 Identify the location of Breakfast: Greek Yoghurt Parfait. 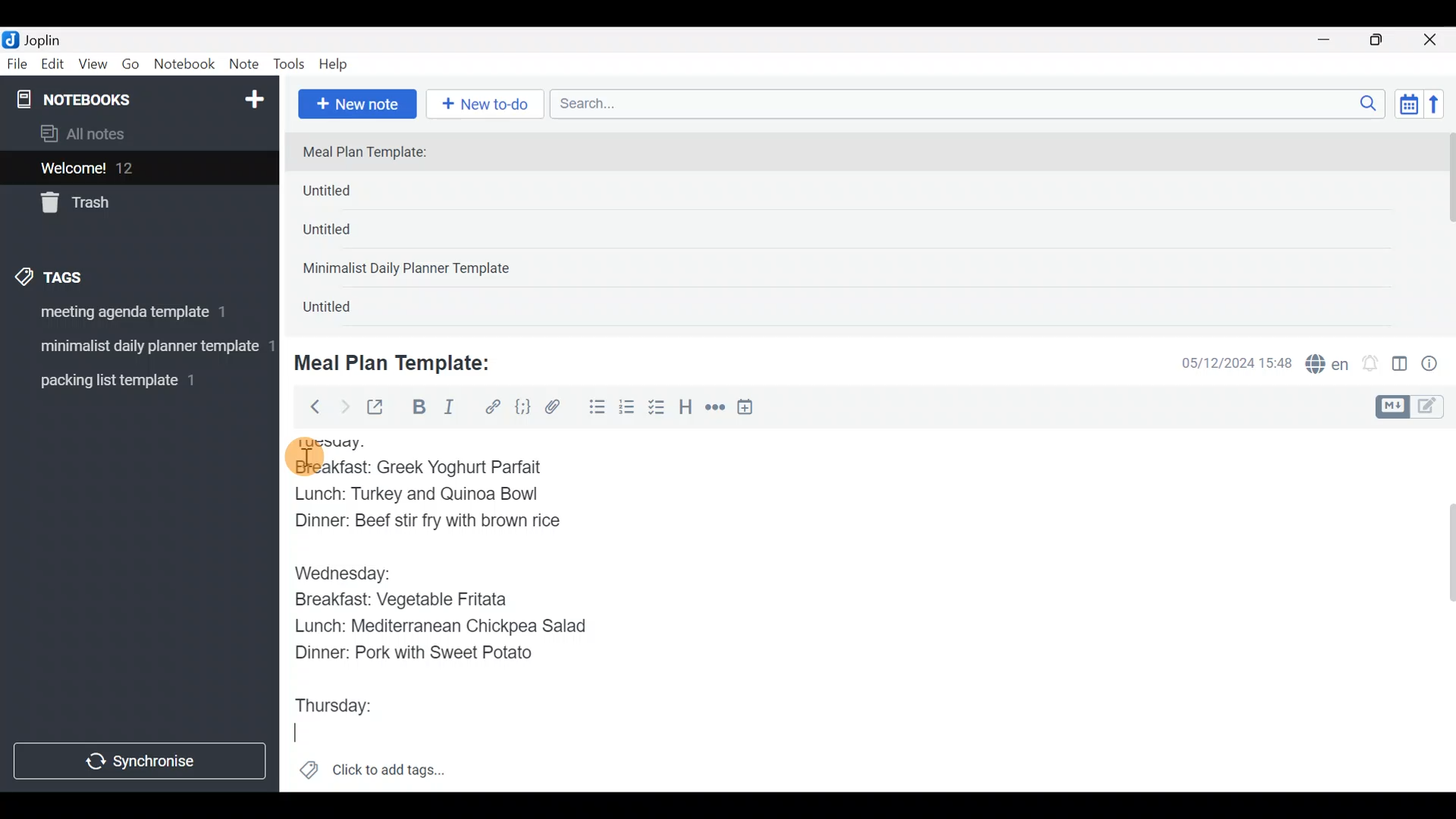
(421, 466).